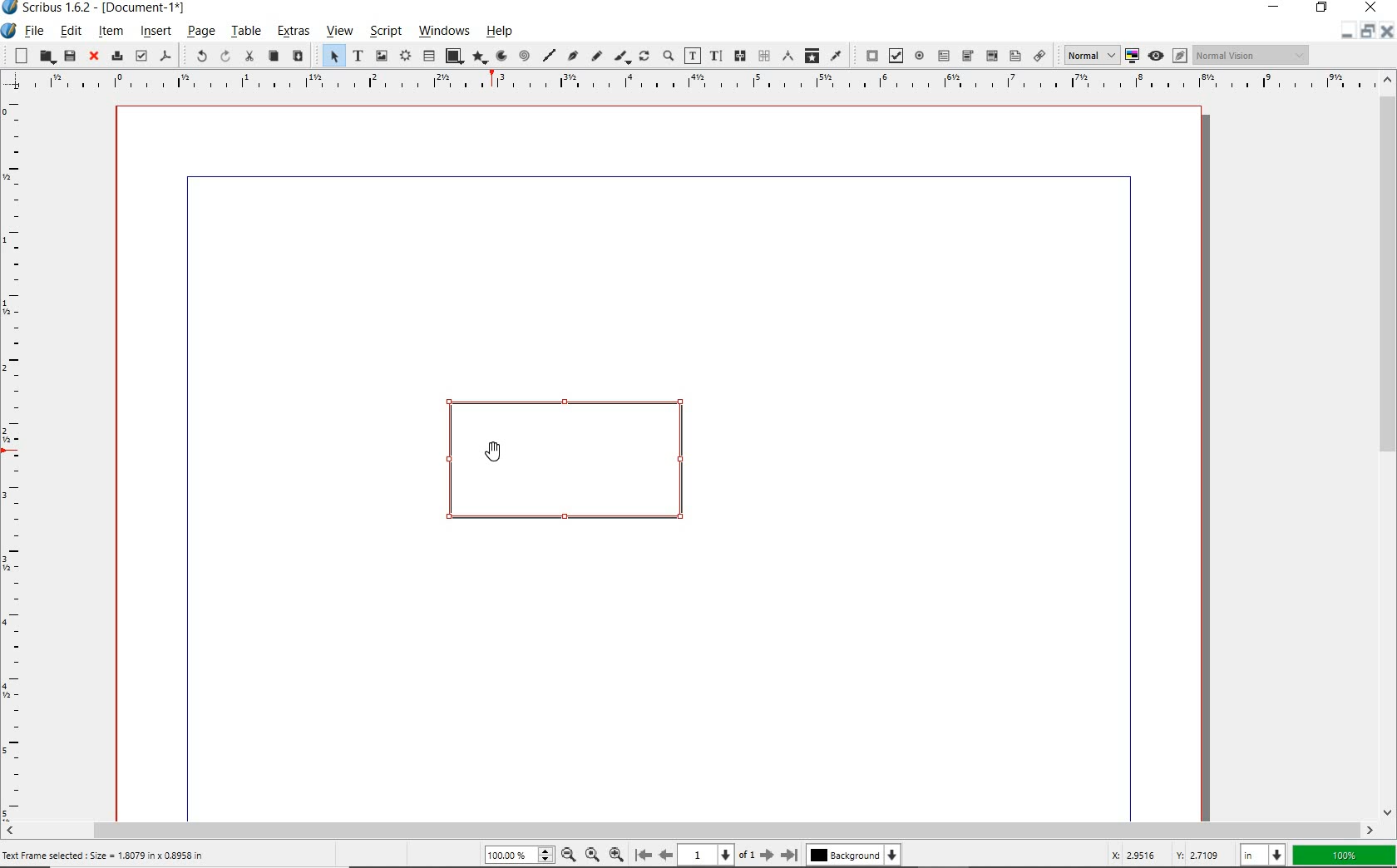 The width and height of the screenshot is (1397, 868). Describe the element at coordinates (499, 33) in the screenshot. I see `help` at that location.